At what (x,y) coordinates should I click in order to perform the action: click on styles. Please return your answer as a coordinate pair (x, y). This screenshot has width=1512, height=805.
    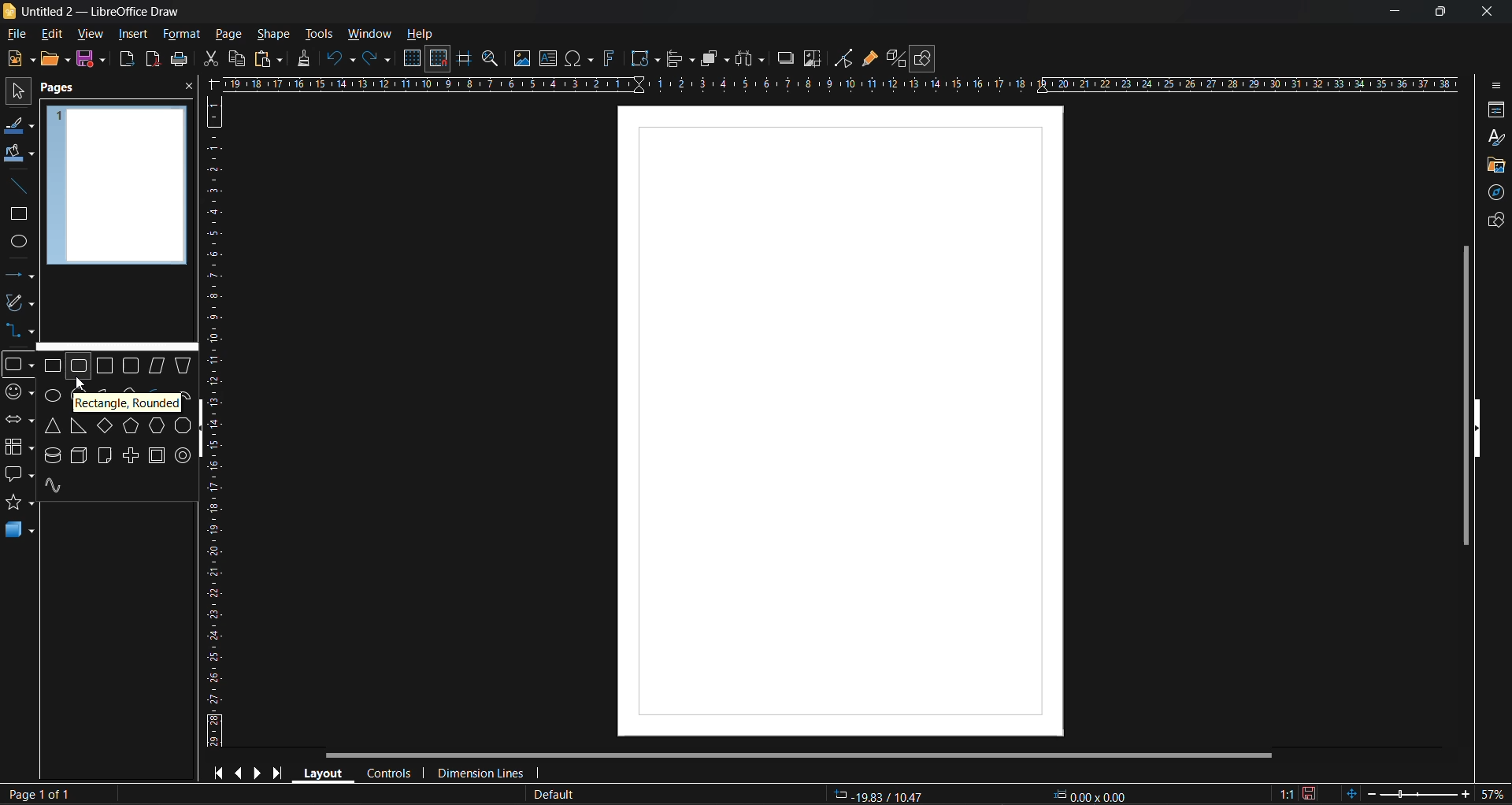
    Looking at the image, I should click on (1497, 139).